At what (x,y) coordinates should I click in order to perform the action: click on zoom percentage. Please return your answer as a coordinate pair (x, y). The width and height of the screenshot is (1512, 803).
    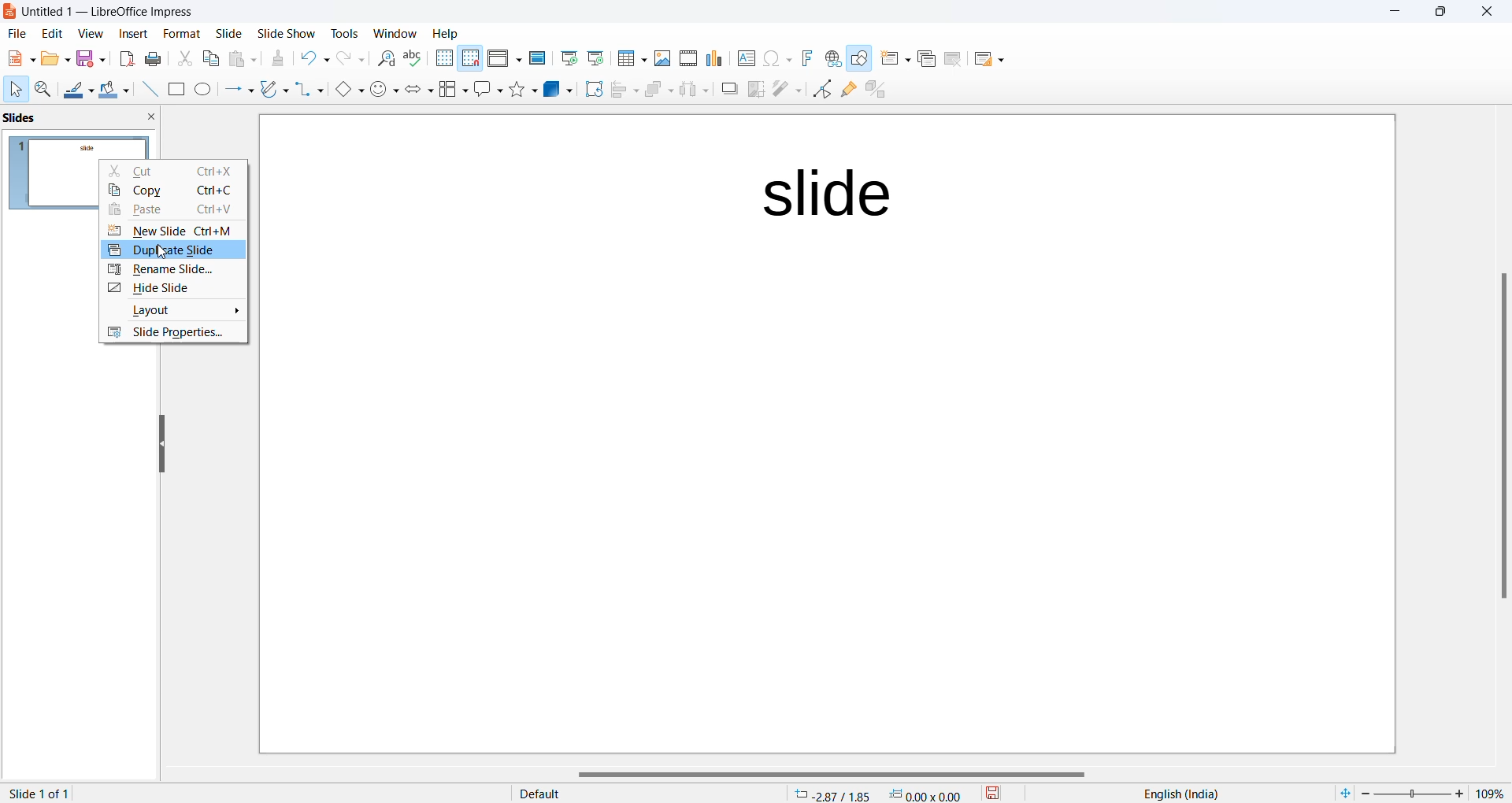
    Looking at the image, I should click on (1493, 792).